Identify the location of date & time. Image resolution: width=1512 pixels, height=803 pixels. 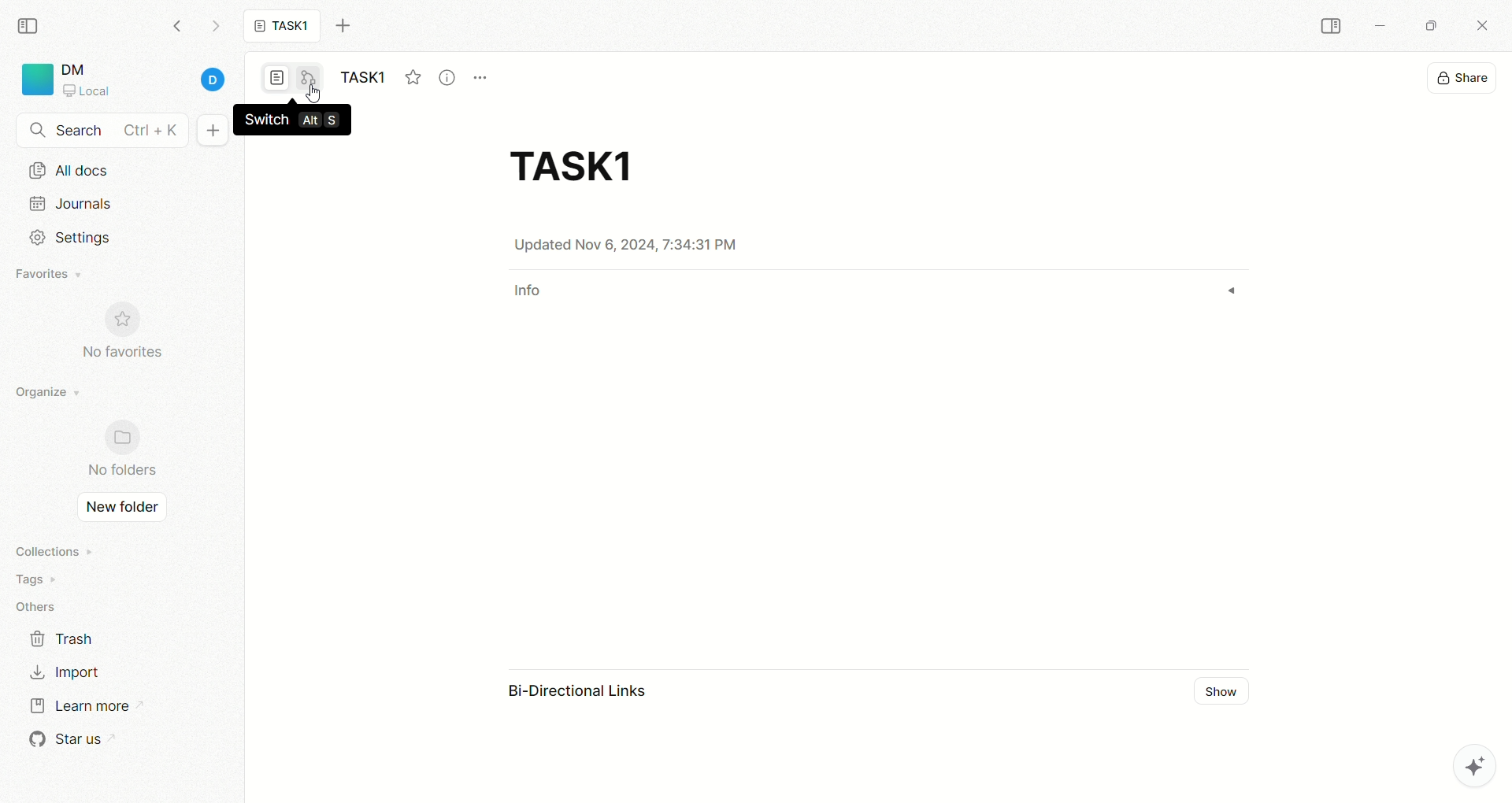
(646, 245).